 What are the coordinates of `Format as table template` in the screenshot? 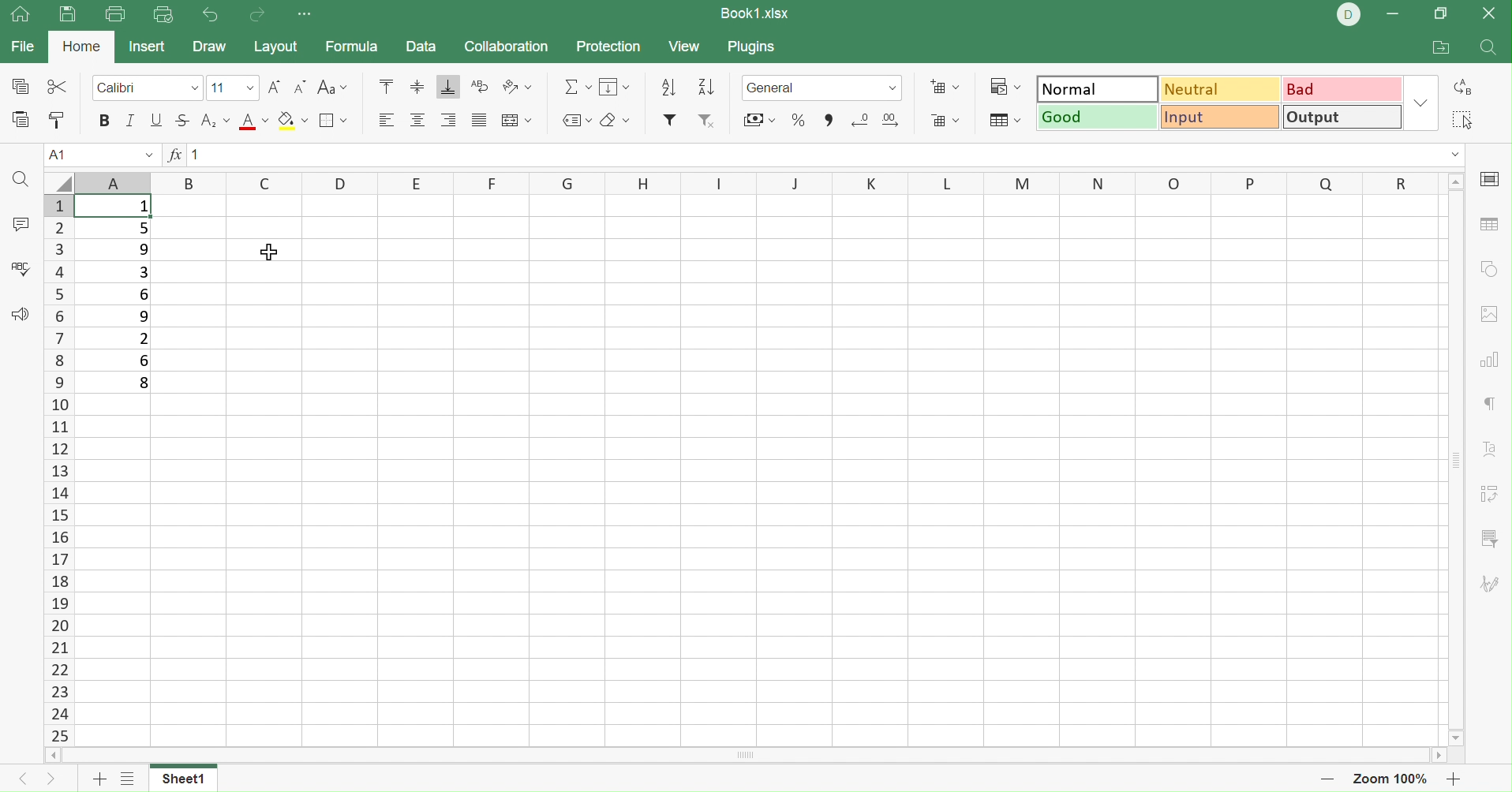 It's located at (1001, 120).